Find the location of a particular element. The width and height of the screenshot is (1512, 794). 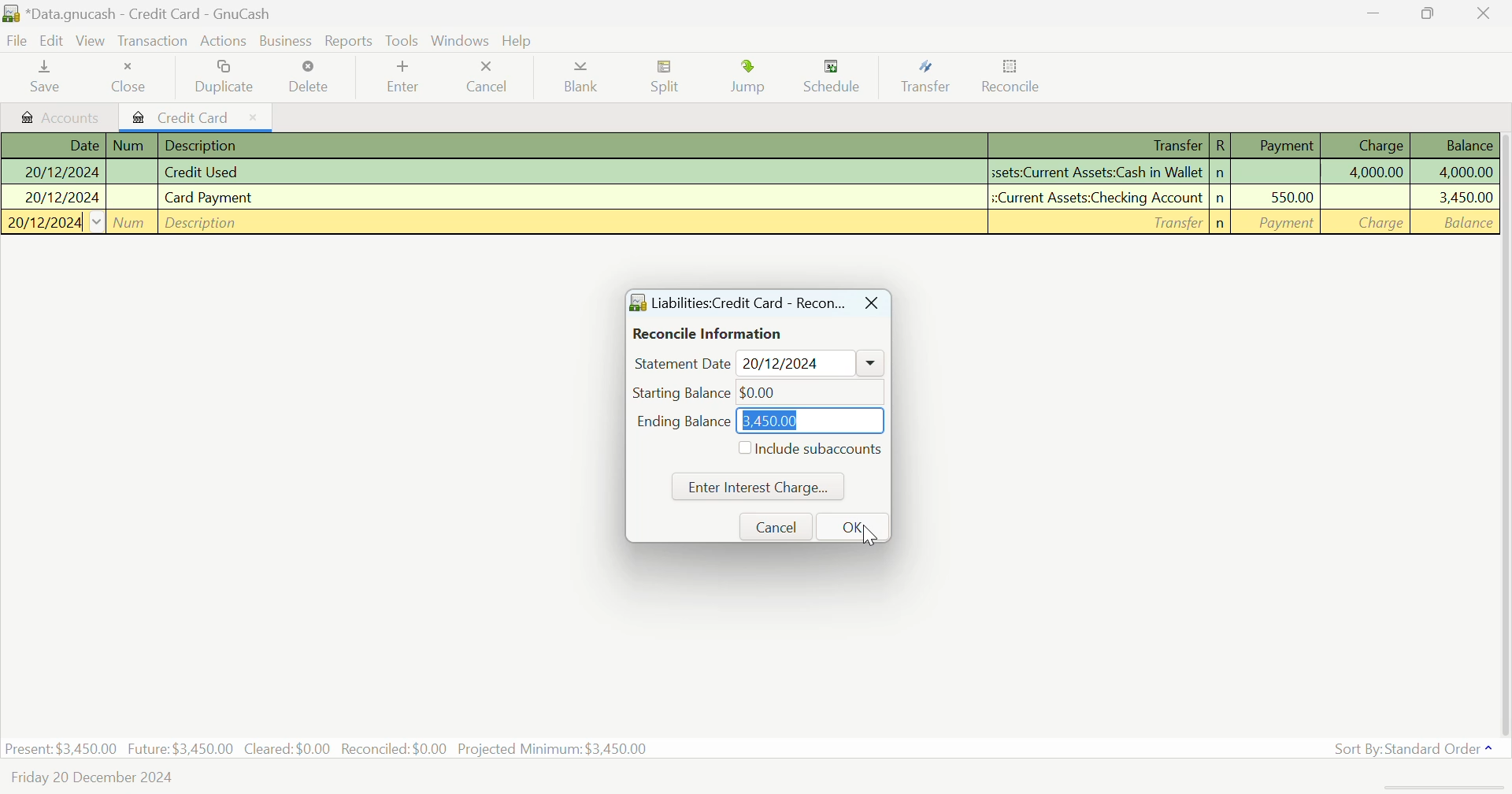

Scroll Bar is located at coordinates (1503, 430).